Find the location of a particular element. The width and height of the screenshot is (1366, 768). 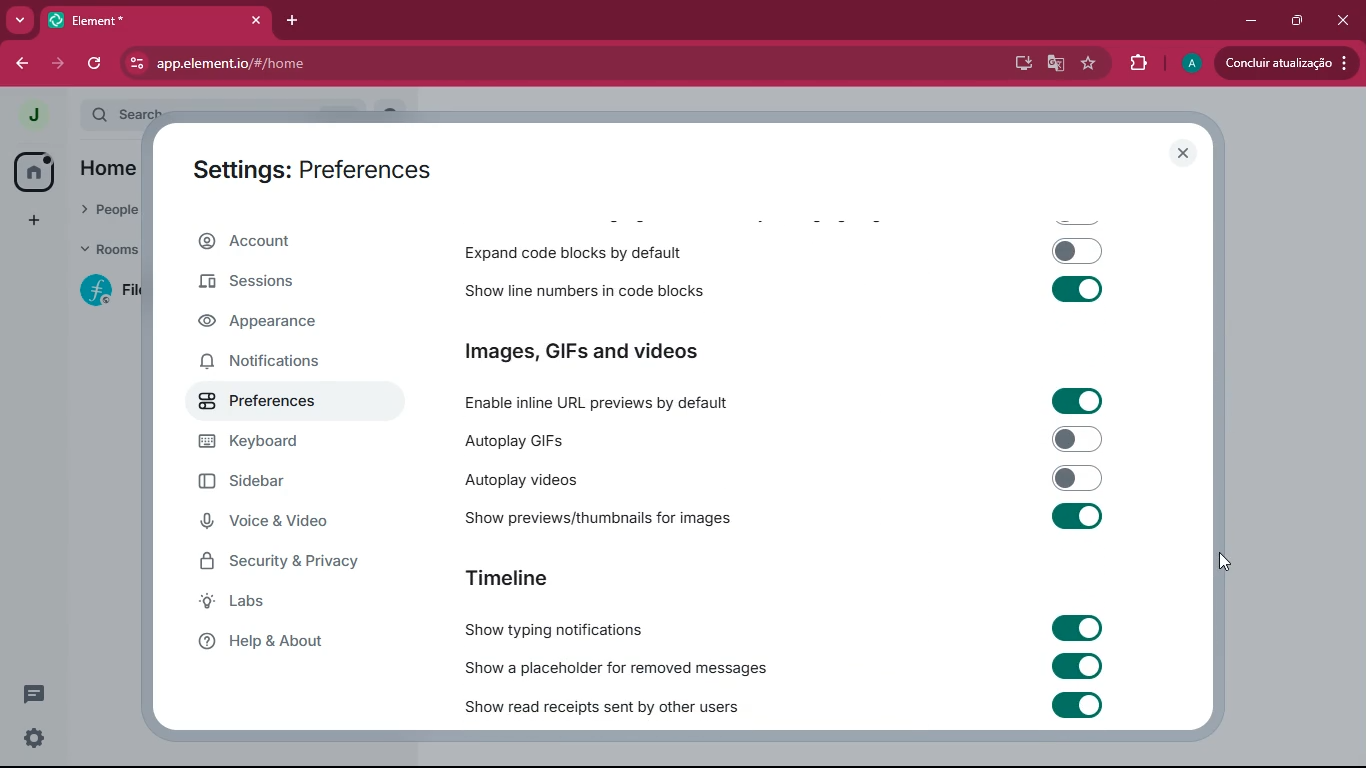

help & about is located at coordinates (288, 643).